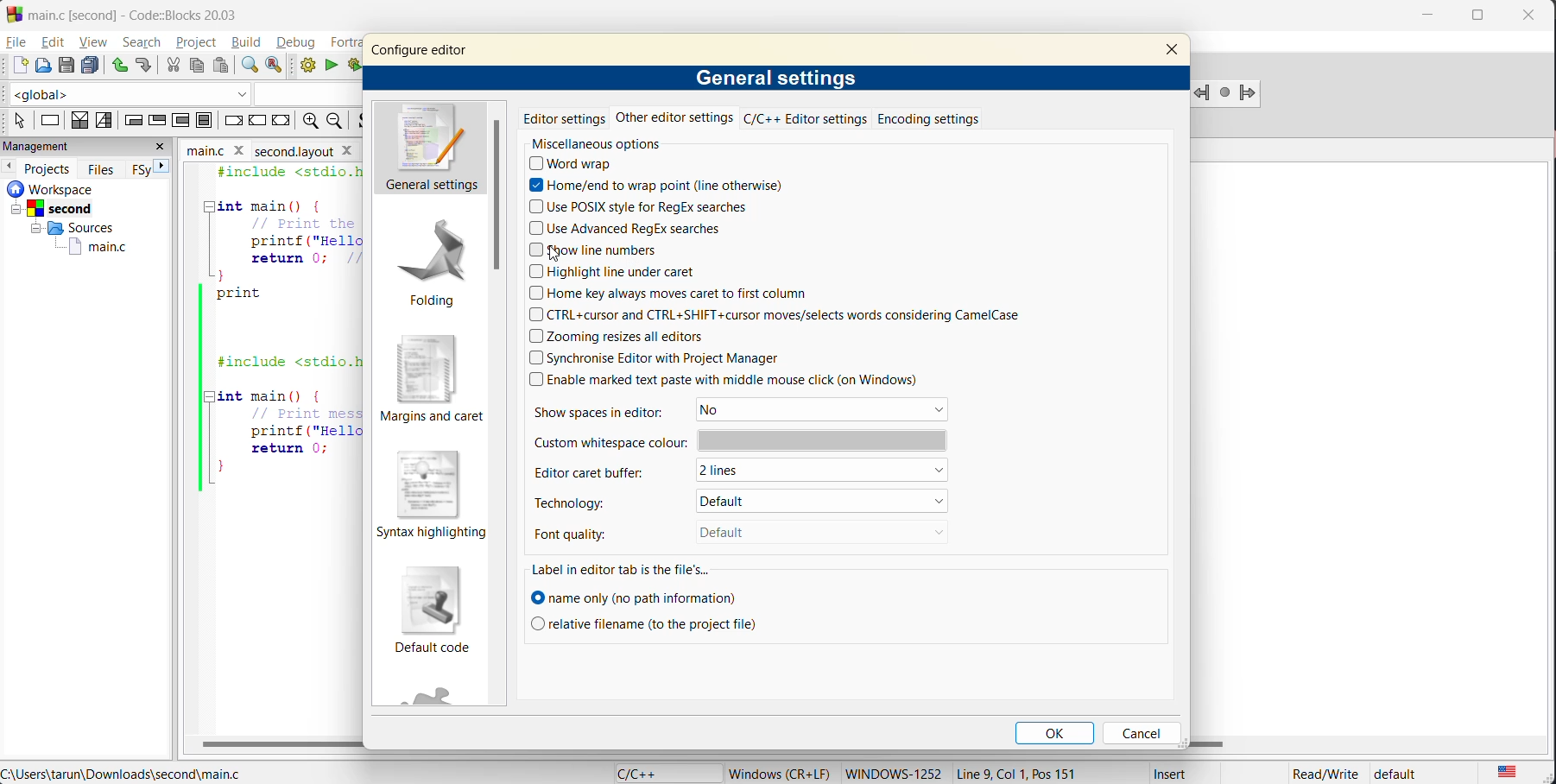 The width and height of the screenshot is (1556, 784). Describe the element at coordinates (1434, 14) in the screenshot. I see `minimize` at that location.